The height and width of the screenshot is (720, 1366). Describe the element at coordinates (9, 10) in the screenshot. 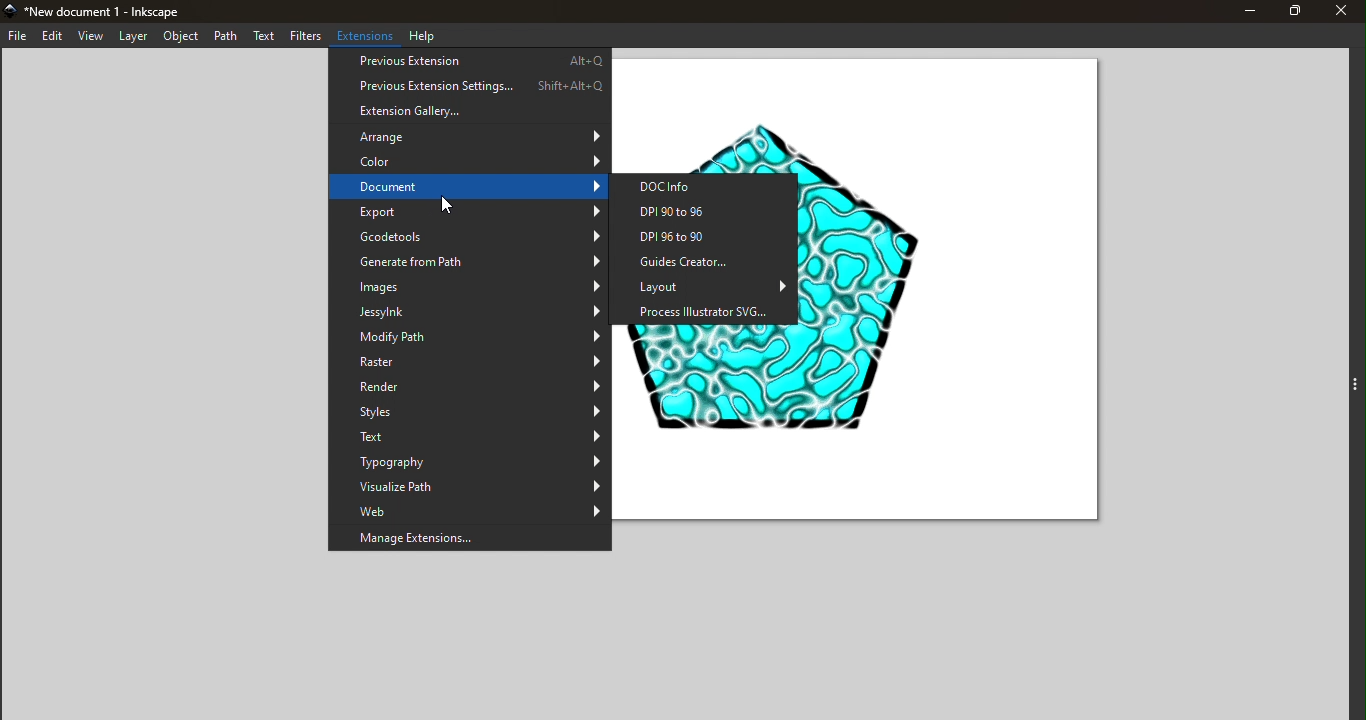

I see `app Icon` at that location.